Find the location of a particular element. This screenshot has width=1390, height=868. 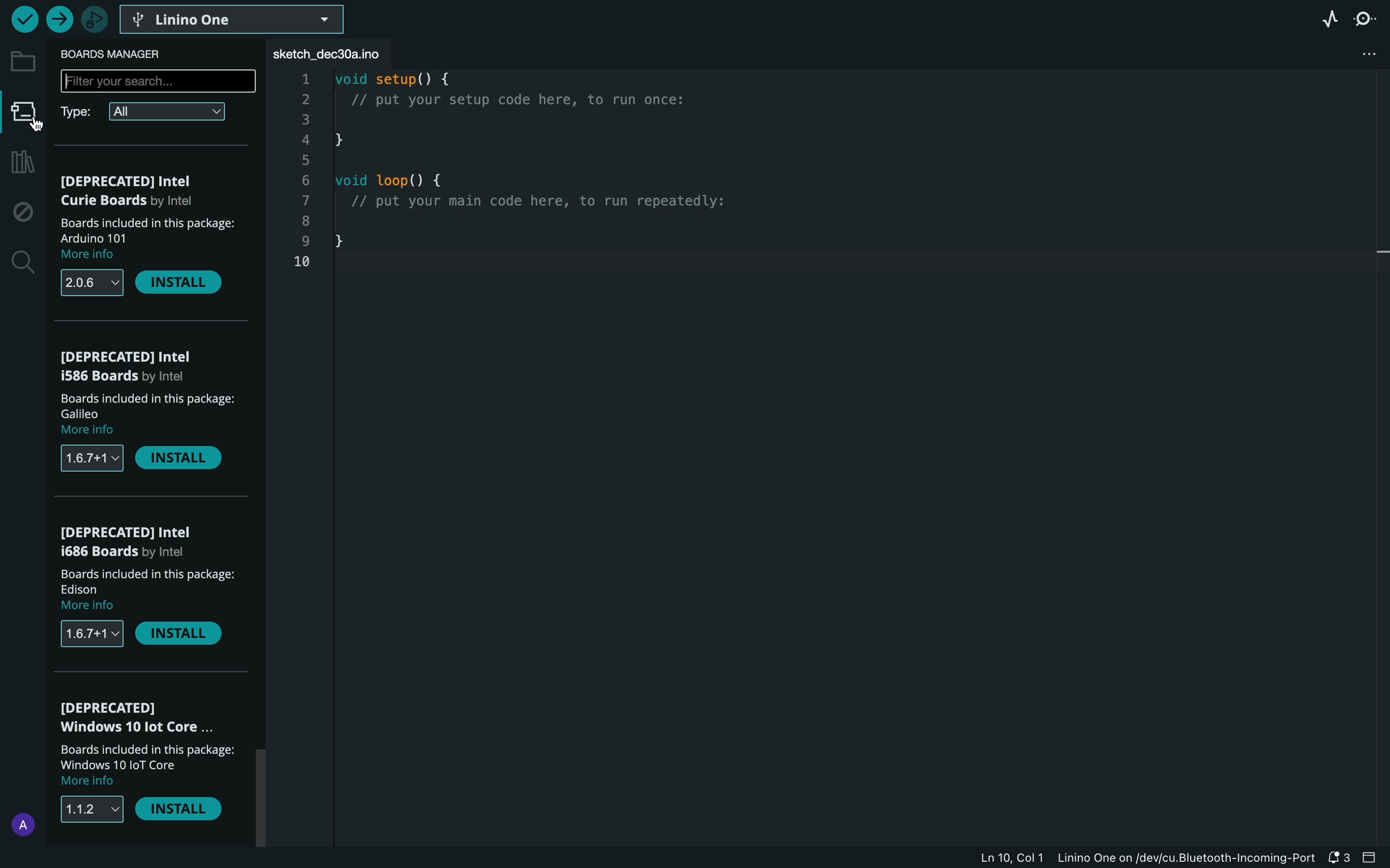

close bar is located at coordinates (1374, 859).